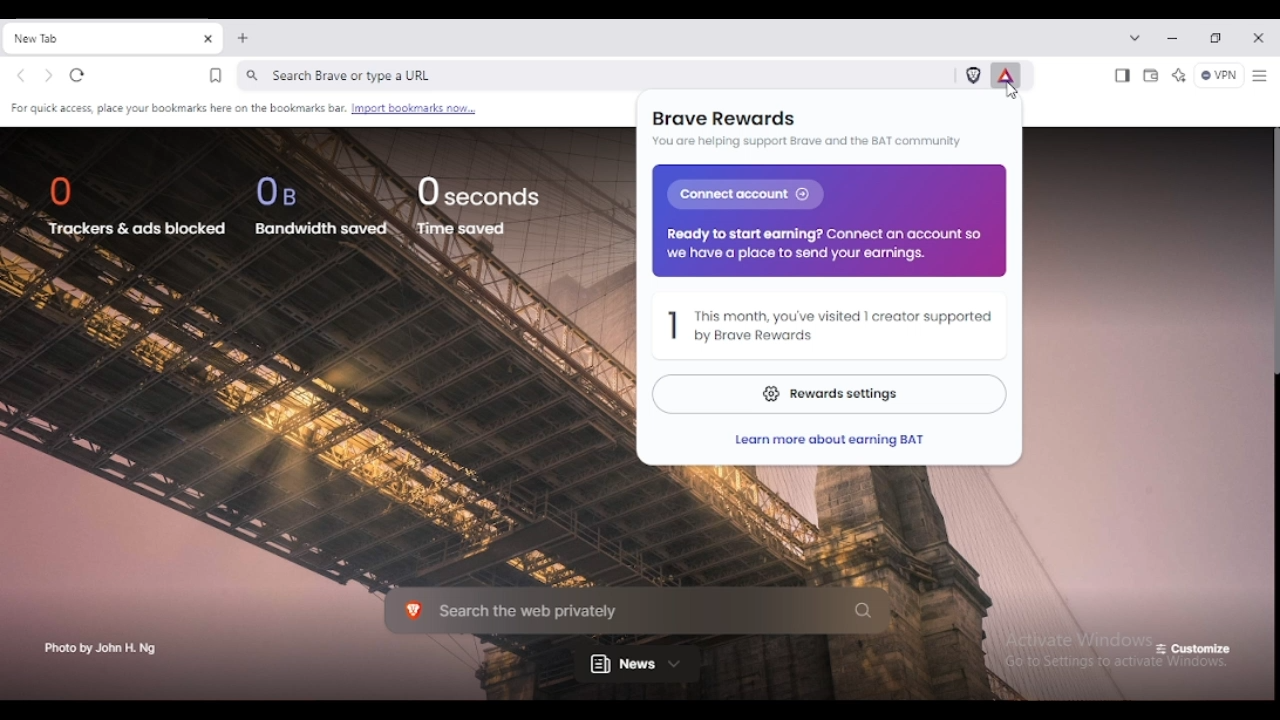 Image resolution: width=1280 pixels, height=720 pixels. I want to click on search the web privately, so click(638, 611).